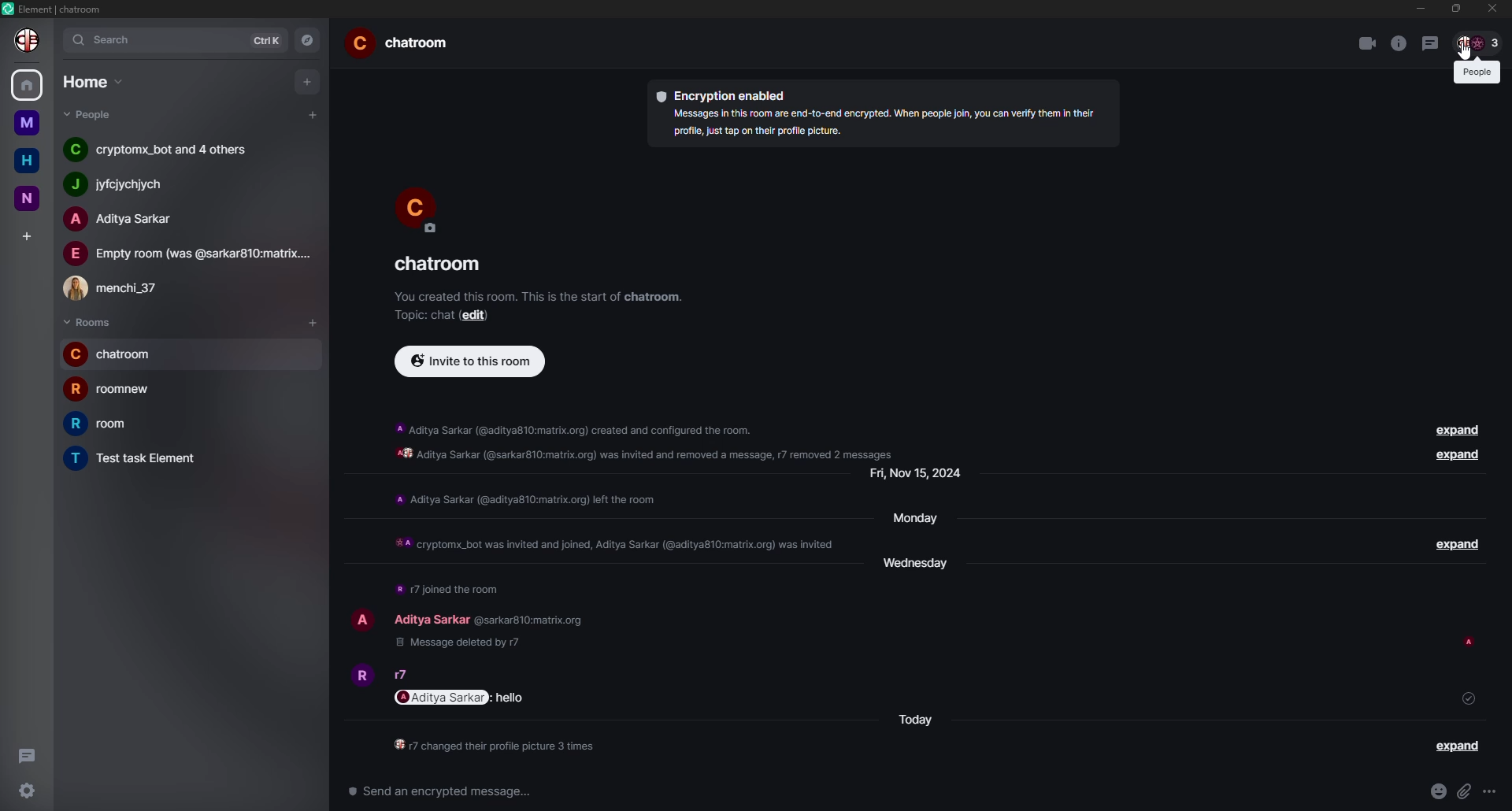 The height and width of the screenshot is (811, 1512). Describe the element at coordinates (405, 45) in the screenshot. I see `room` at that location.